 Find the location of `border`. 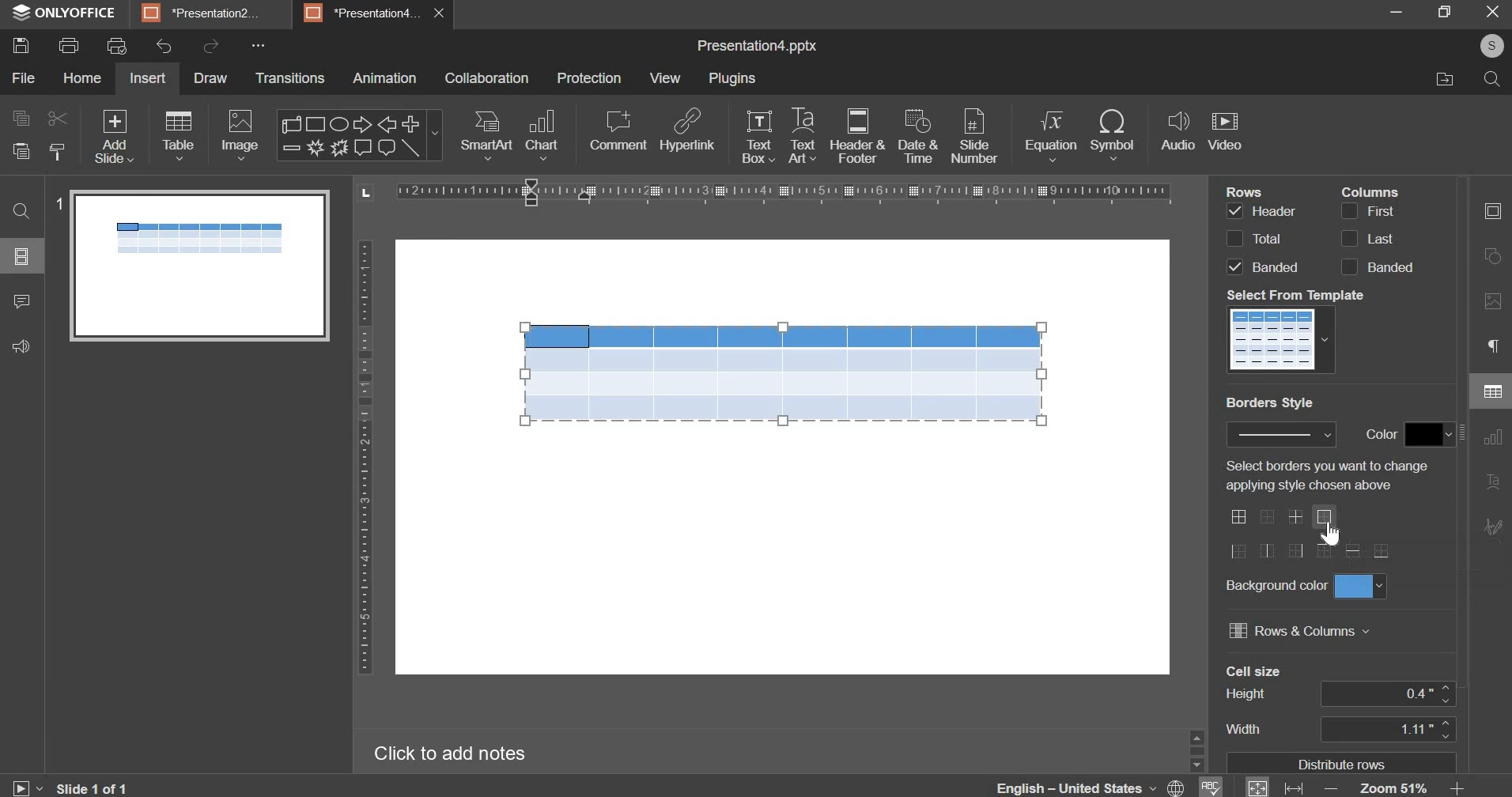

border is located at coordinates (1244, 516).